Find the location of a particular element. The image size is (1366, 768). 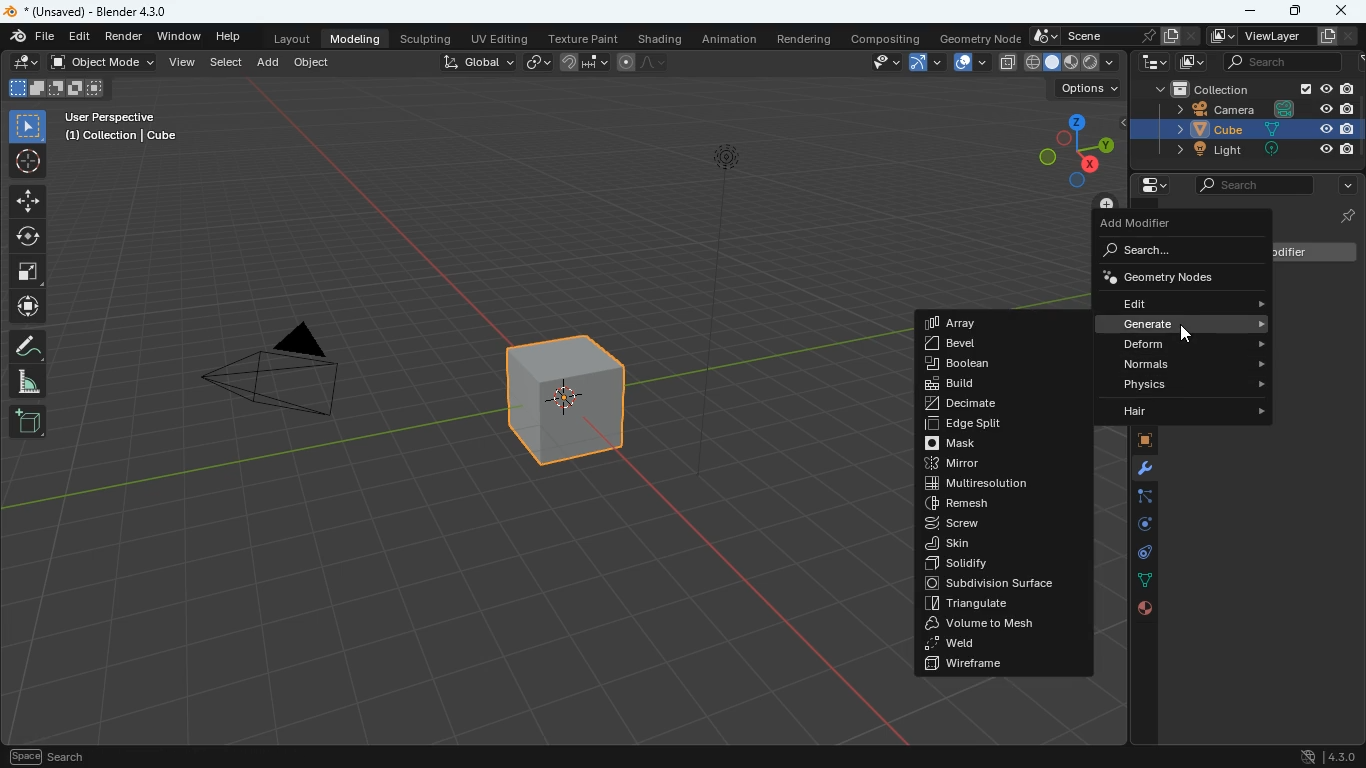

triangulate is located at coordinates (999, 605).